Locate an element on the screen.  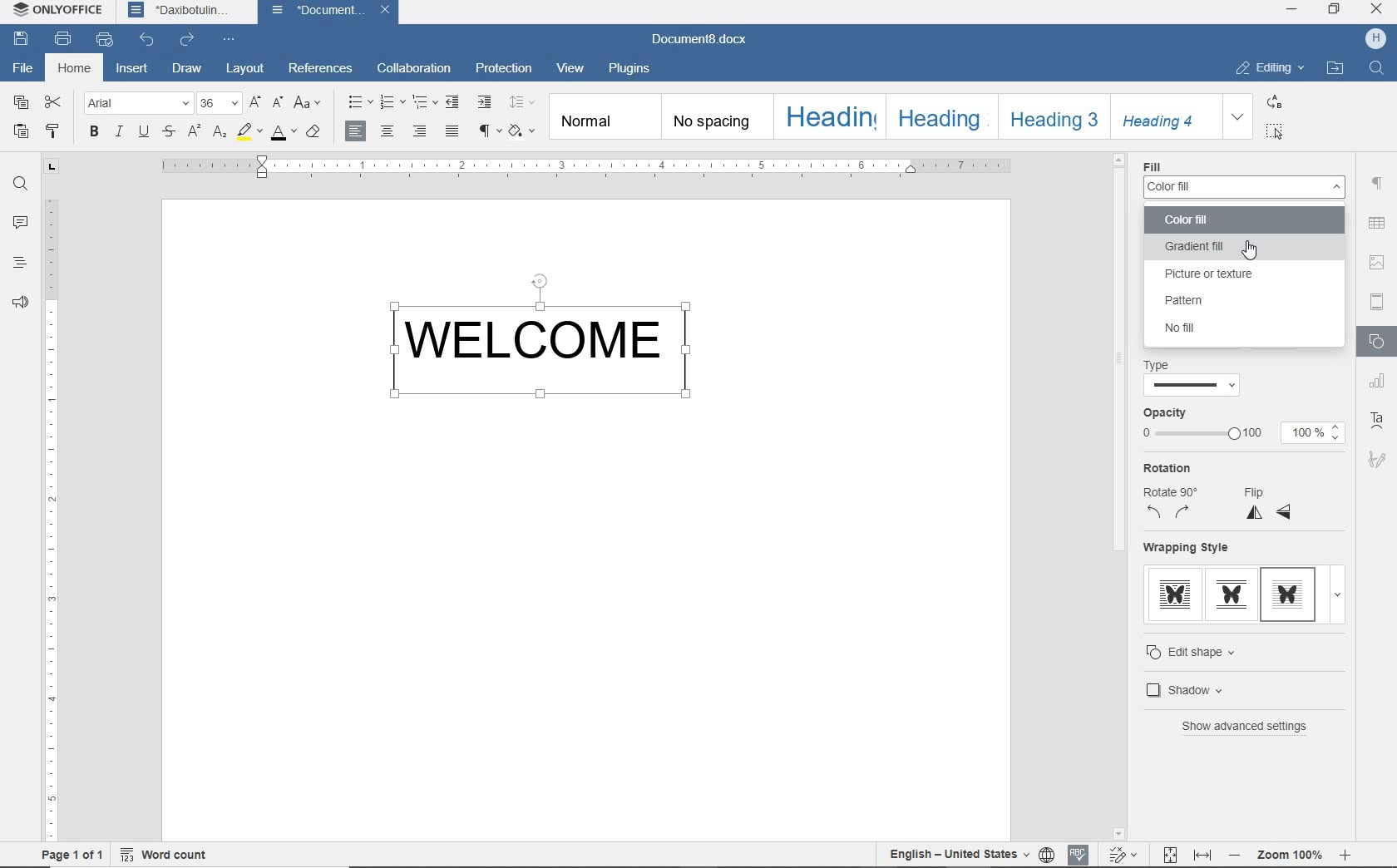
HEADINGS is located at coordinates (22, 262).